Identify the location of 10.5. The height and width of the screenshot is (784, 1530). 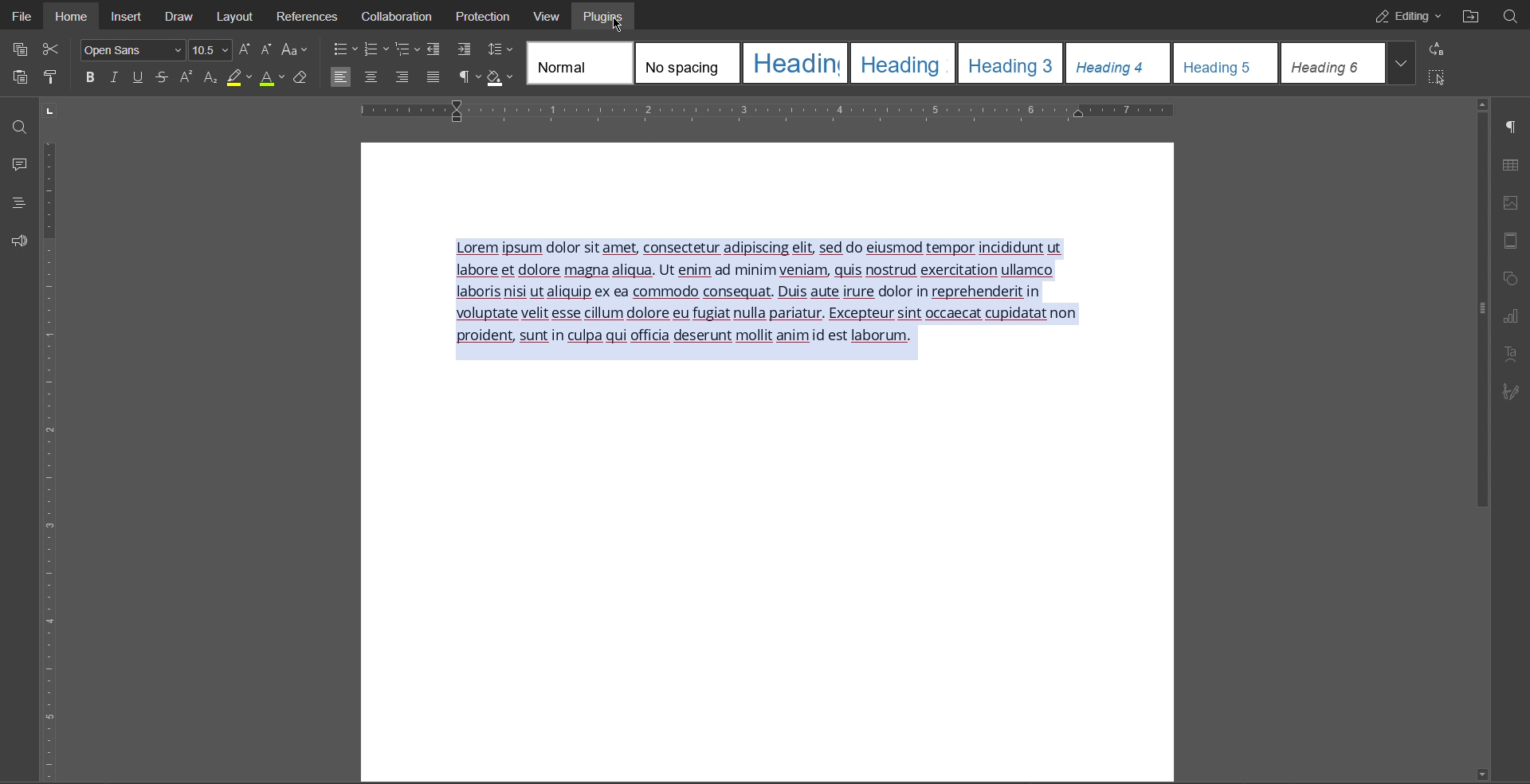
(210, 51).